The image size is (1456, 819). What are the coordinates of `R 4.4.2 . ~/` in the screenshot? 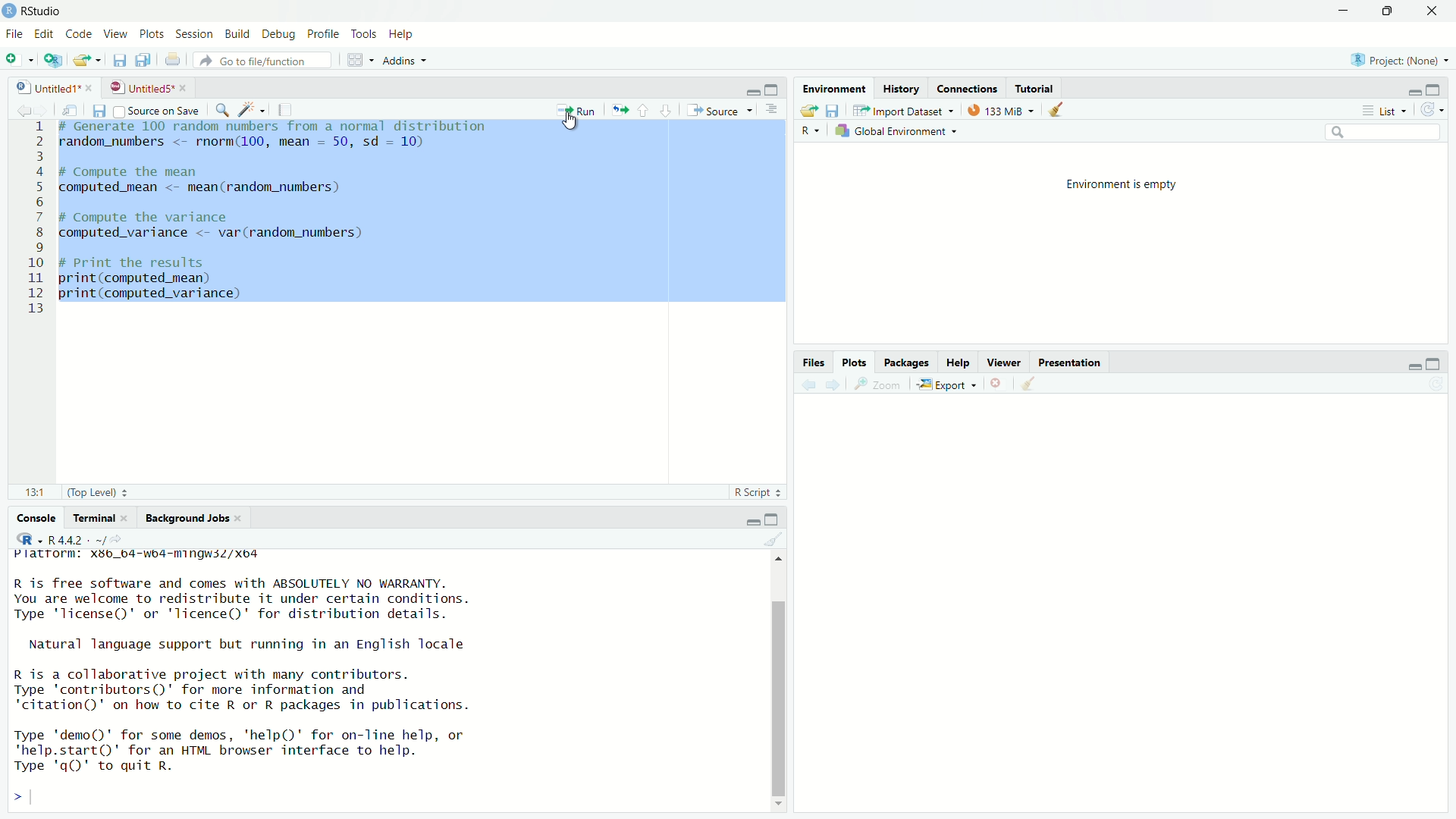 It's located at (77, 539).